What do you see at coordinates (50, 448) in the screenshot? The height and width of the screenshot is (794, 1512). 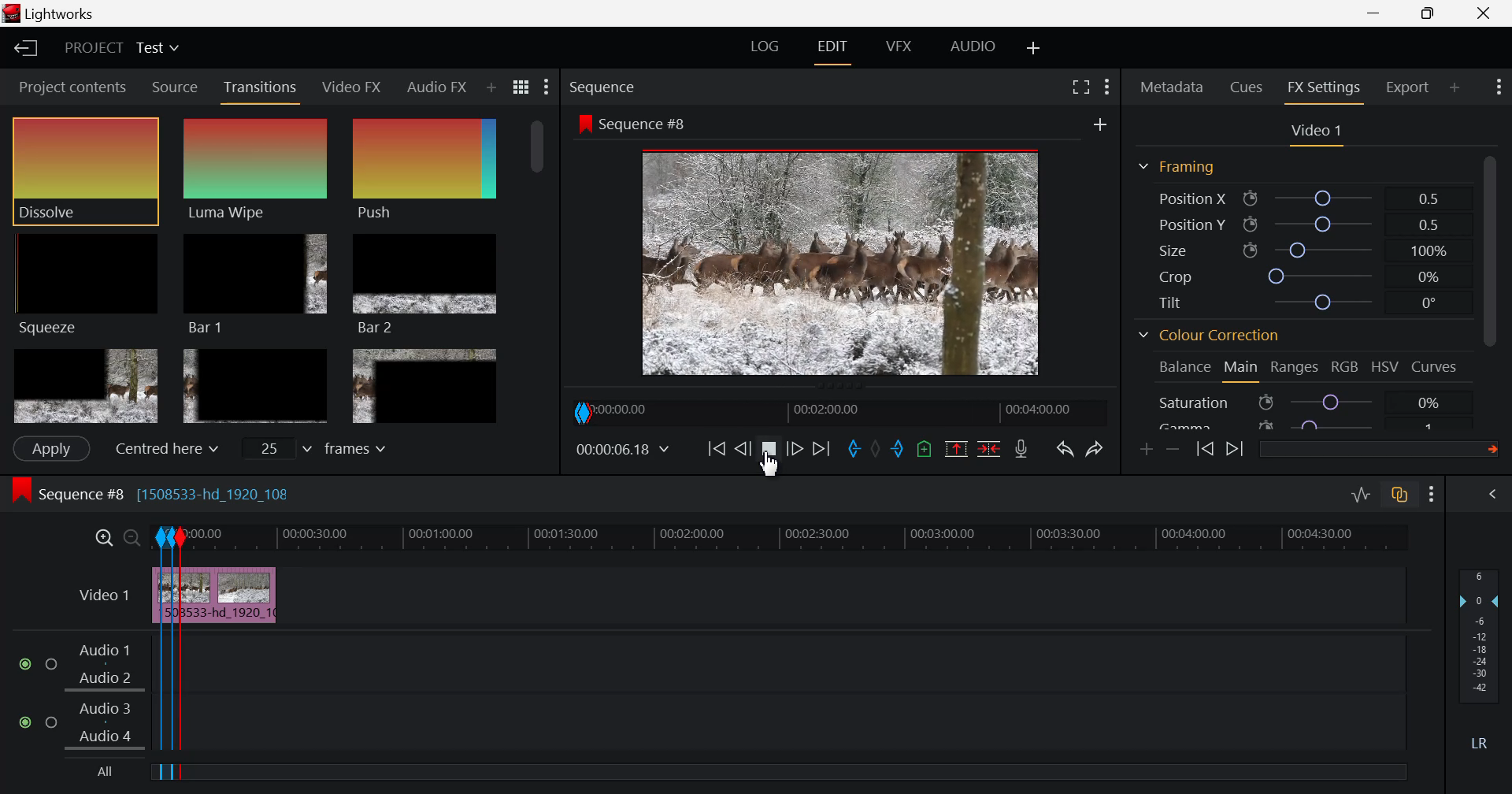 I see `Apply` at bounding box center [50, 448].